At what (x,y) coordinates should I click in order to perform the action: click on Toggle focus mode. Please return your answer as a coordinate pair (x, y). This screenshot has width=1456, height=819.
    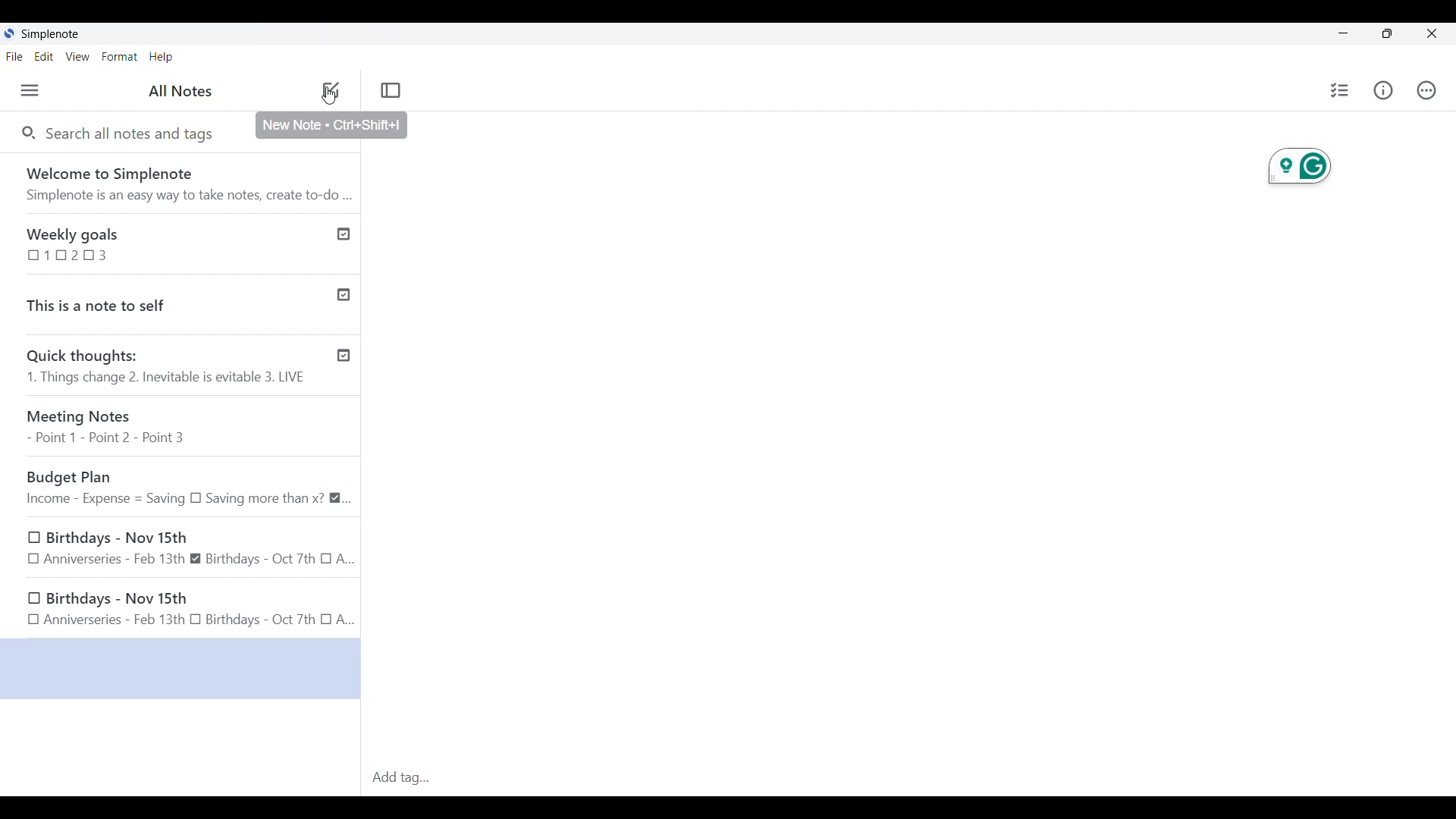
    Looking at the image, I should click on (392, 91).